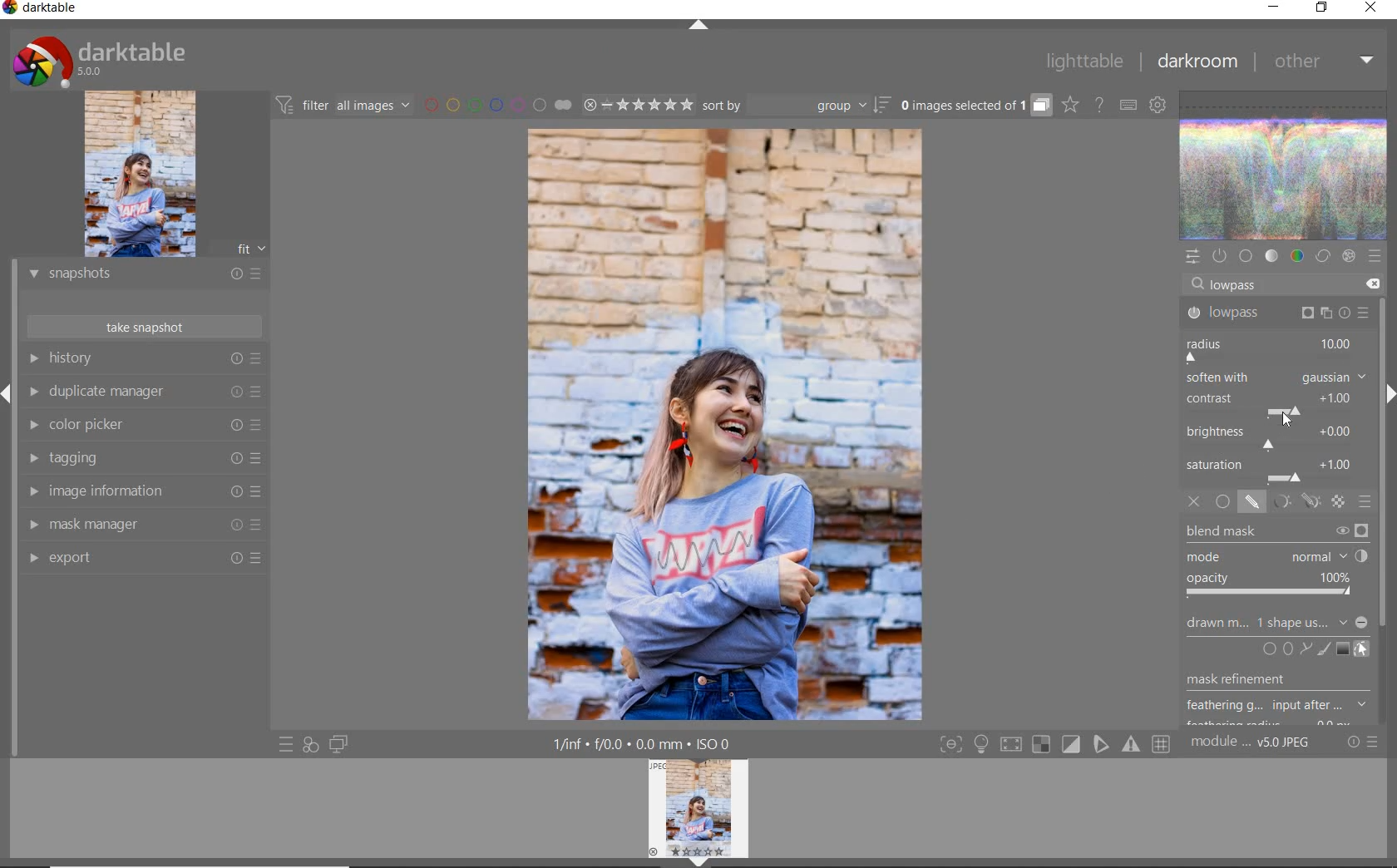  Describe the element at coordinates (1285, 164) in the screenshot. I see `waveform` at that location.